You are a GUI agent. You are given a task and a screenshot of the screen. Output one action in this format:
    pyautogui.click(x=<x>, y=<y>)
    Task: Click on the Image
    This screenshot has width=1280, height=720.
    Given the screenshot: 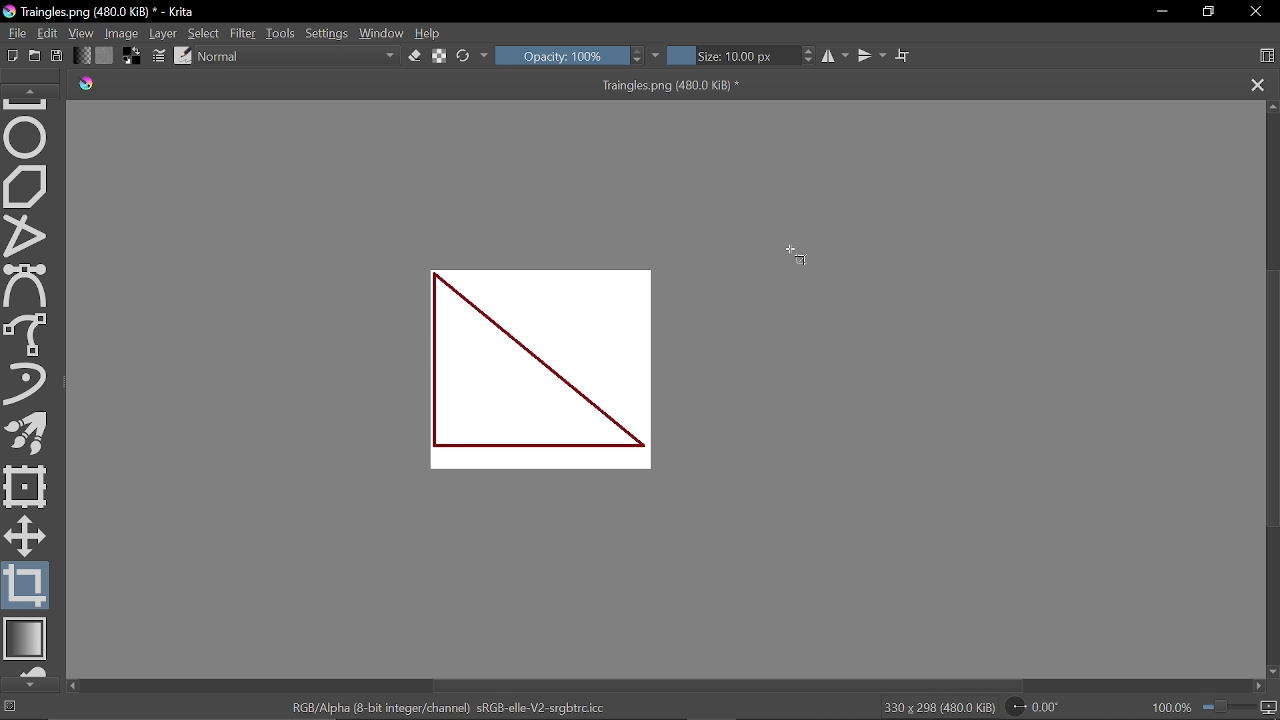 What is the action you would take?
    pyautogui.click(x=123, y=32)
    